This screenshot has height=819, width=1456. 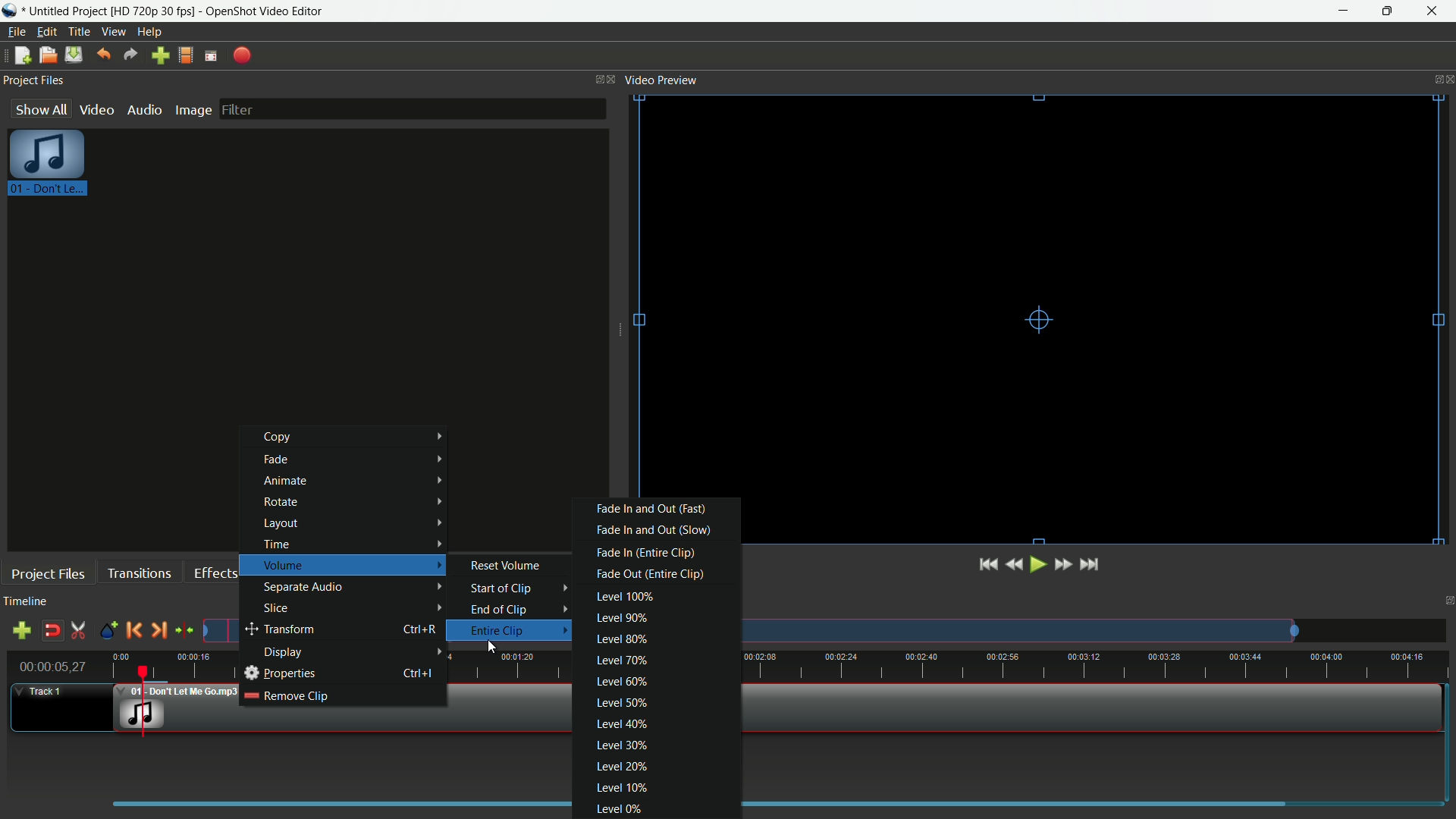 What do you see at coordinates (187, 56) in the screenshot?
I see `profile` at bounding box center [187, 56].